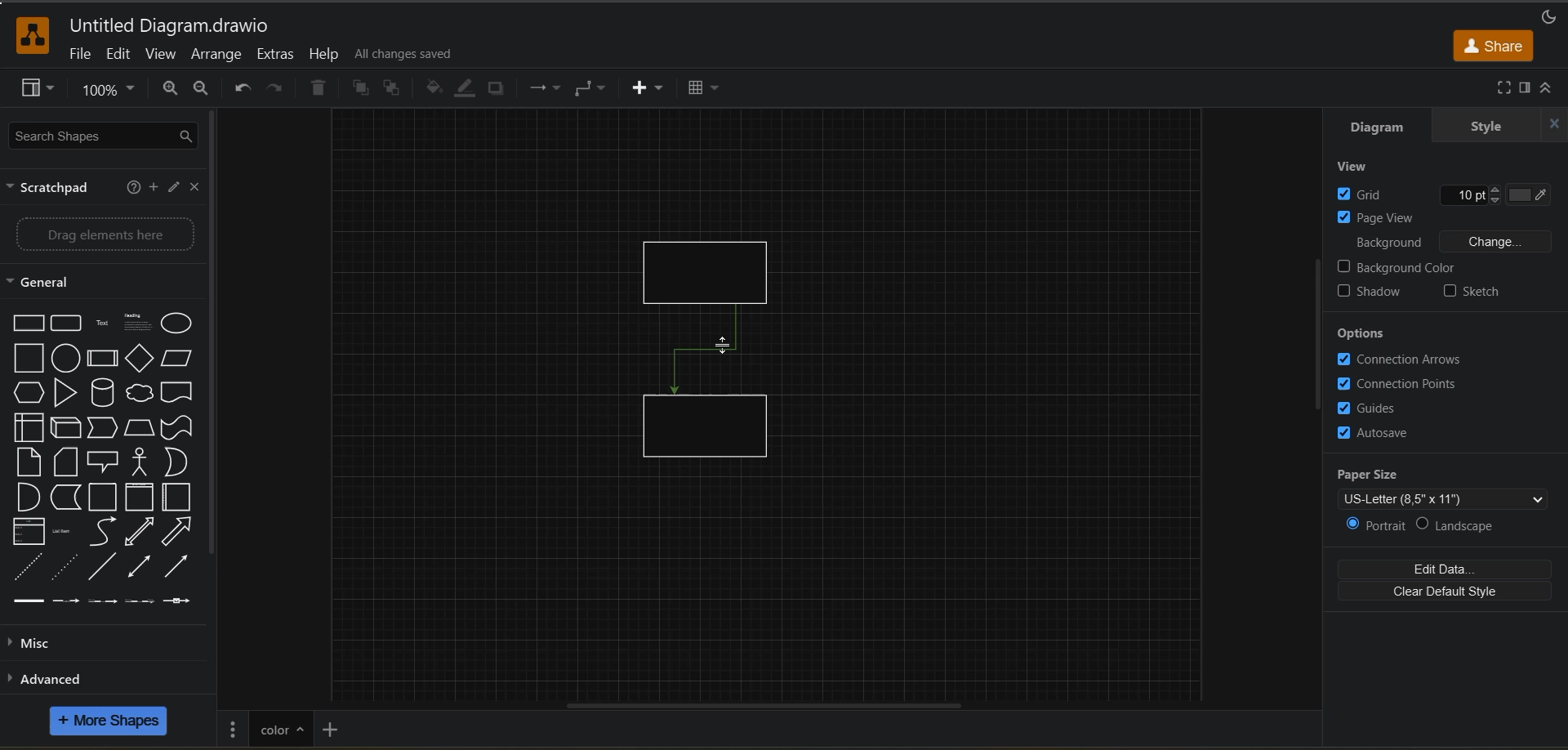  What do you see at coordinates (105, 498) in the screenshot?
I see `Container` at bounding box center [105, 498].